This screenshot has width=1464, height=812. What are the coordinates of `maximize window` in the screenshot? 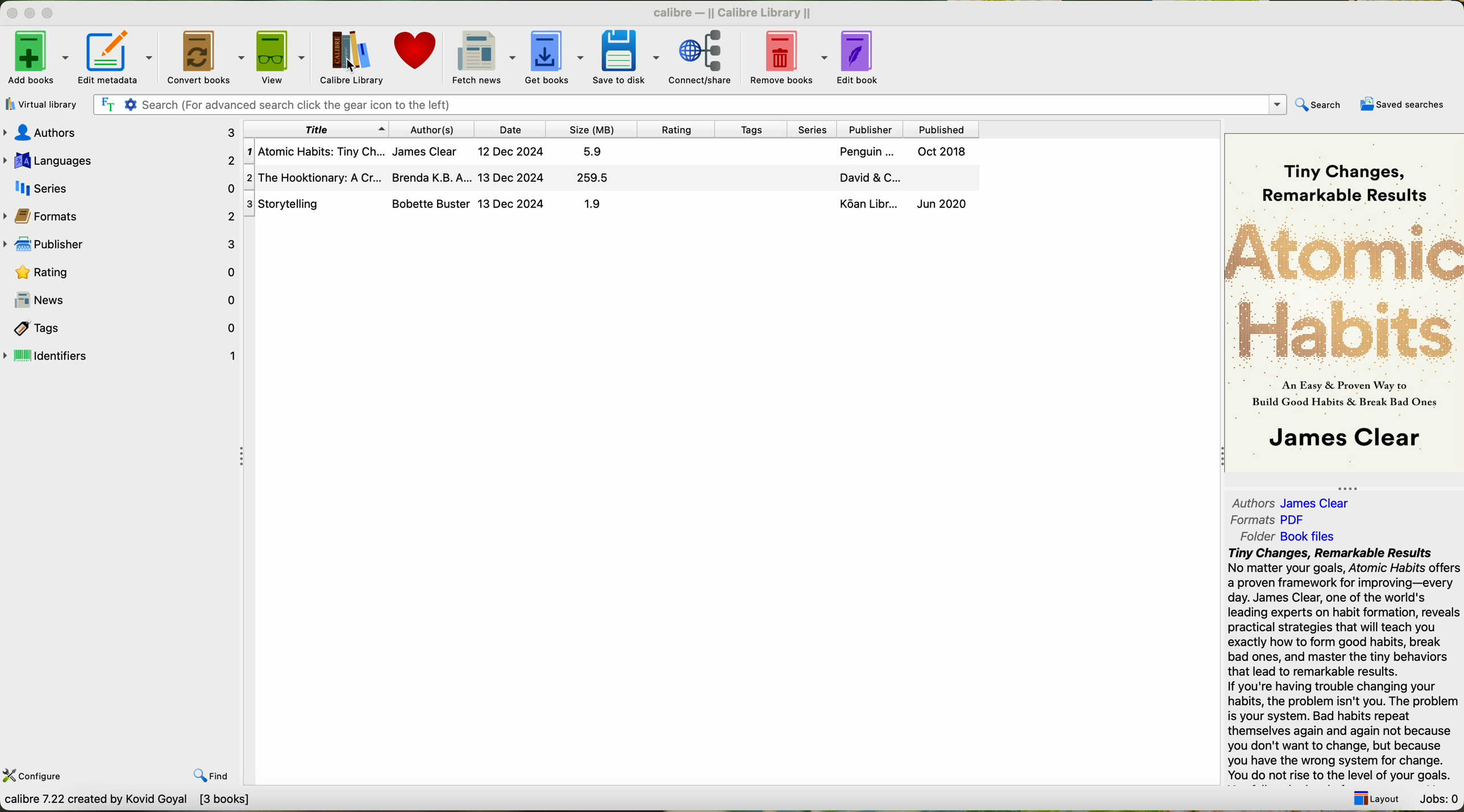 It's located at (51, 14).